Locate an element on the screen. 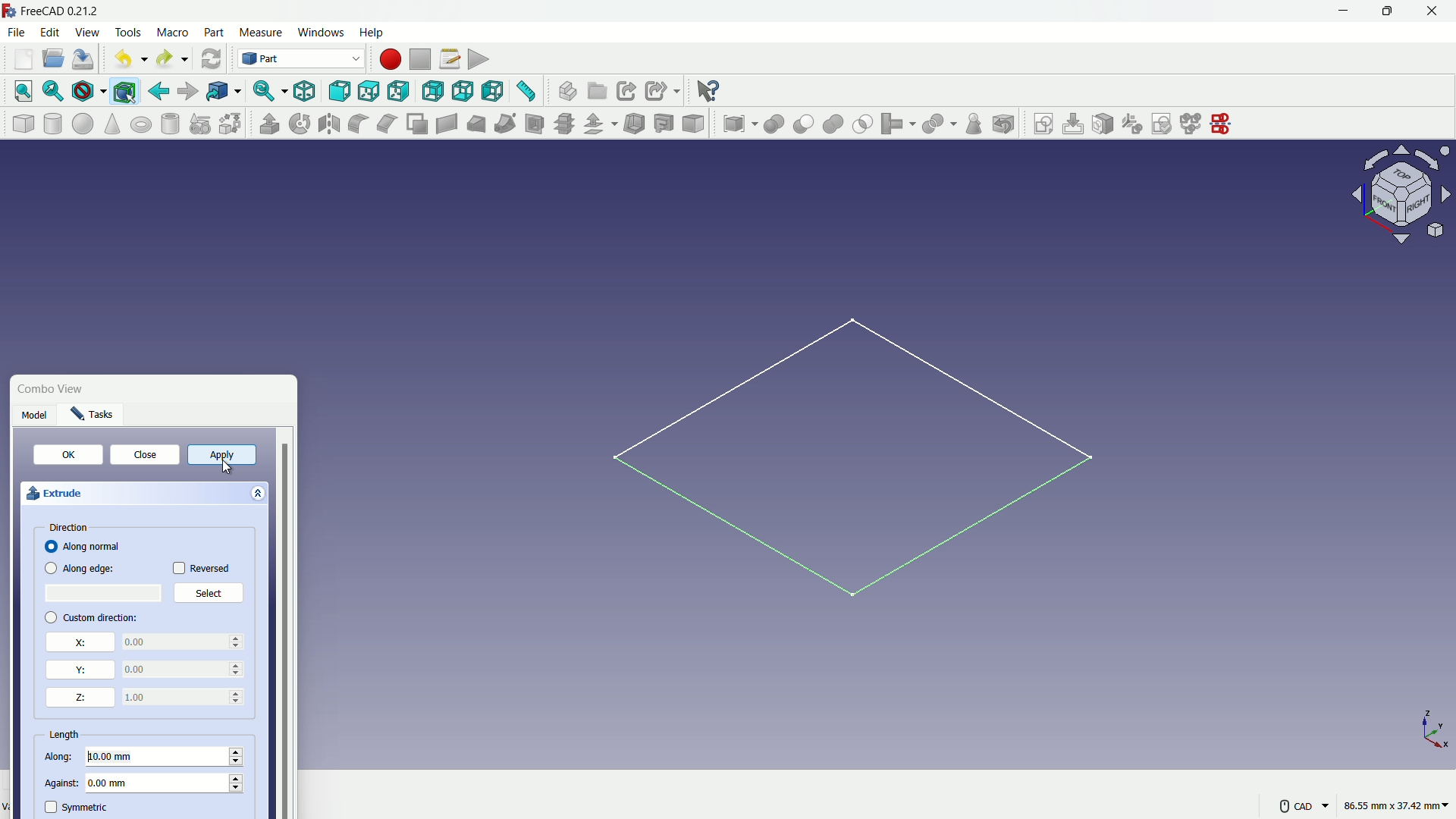 The image size is (1456, 819). 0.00 is located at coordinates (185, 698).